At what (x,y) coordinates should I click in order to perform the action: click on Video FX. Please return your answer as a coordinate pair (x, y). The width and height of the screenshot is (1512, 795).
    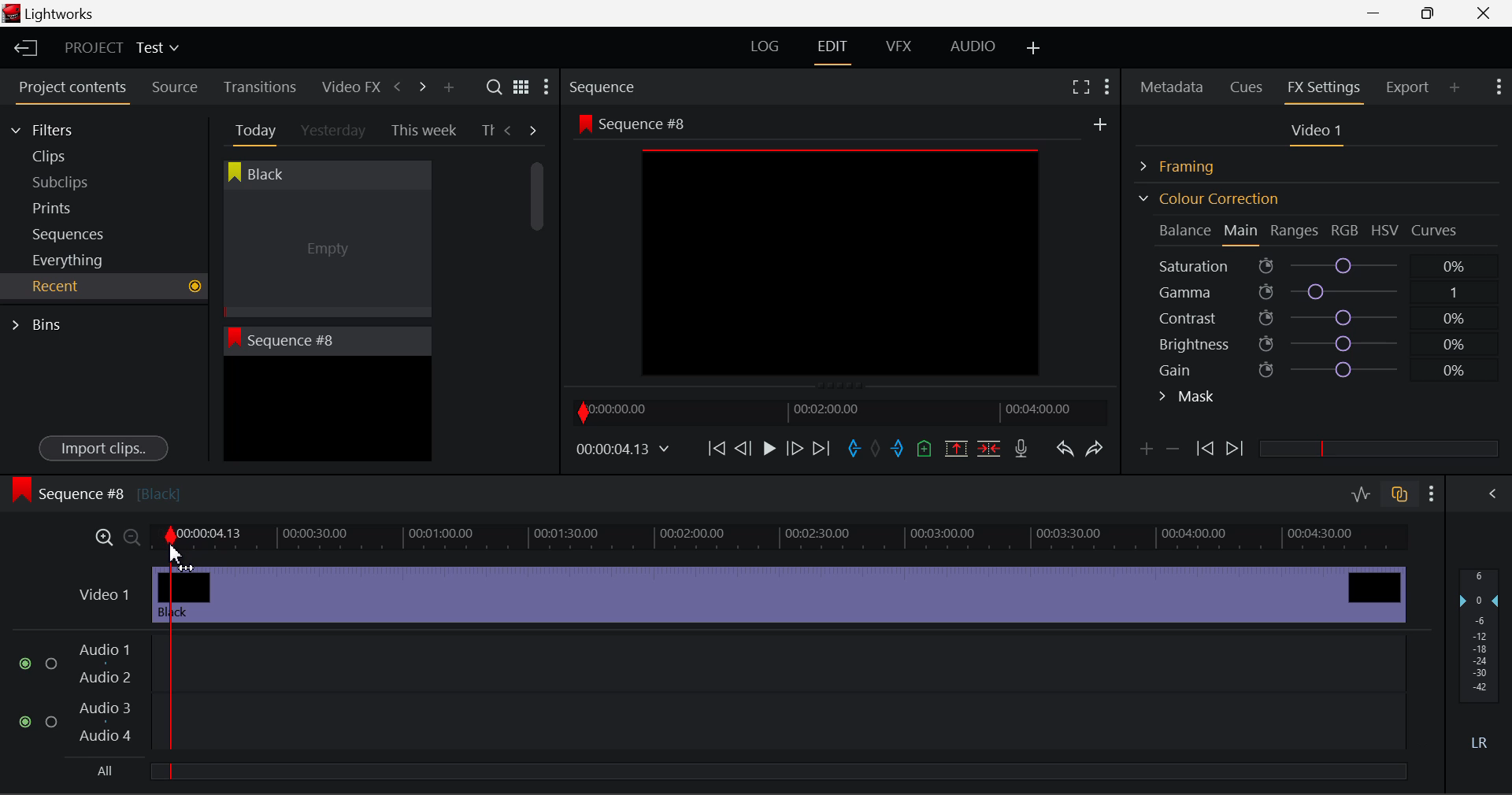
    Looking at the image, I should click on (346, 87).